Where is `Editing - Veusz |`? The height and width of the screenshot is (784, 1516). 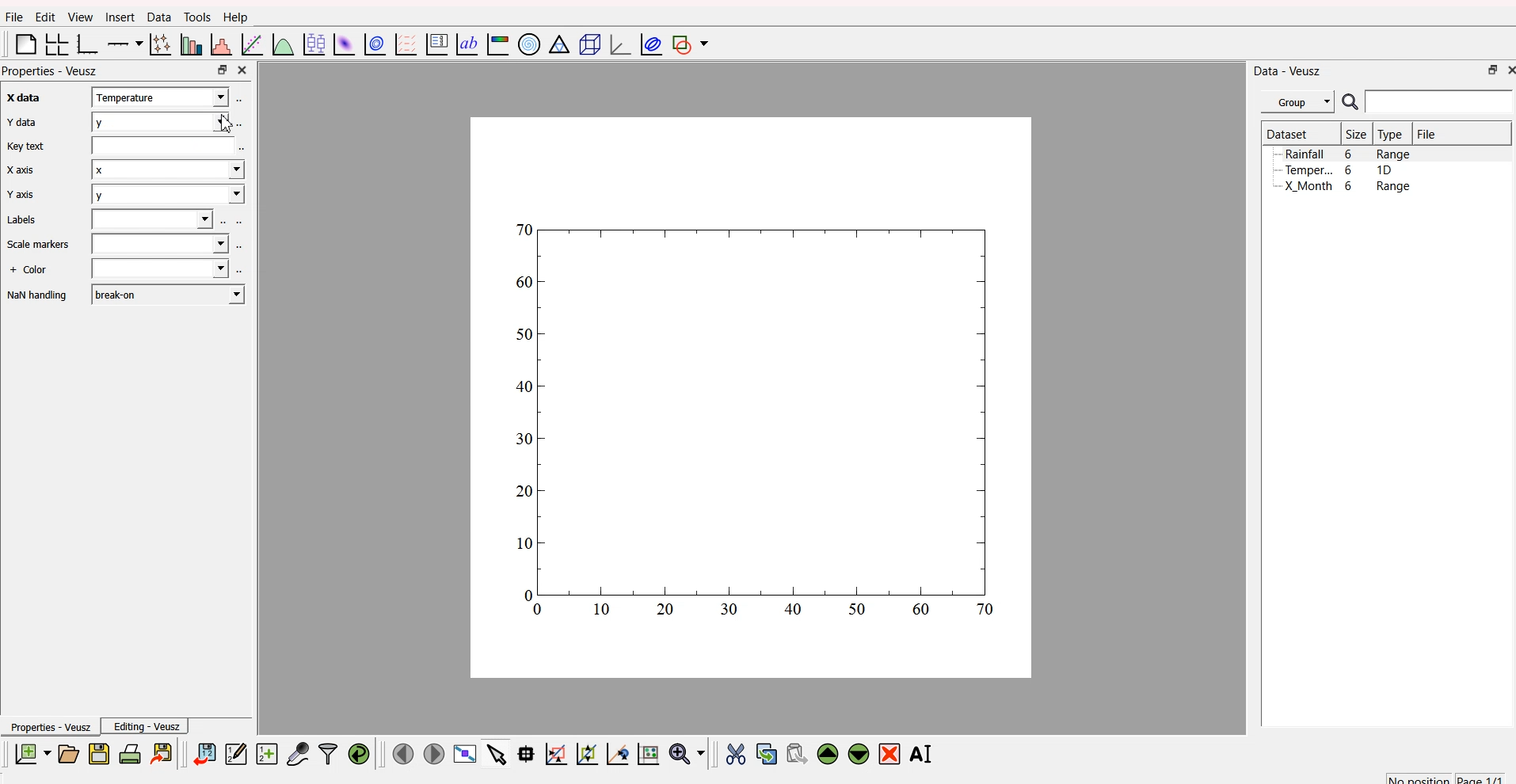 Editing - Veusz | is located at coordinates (148, 726).